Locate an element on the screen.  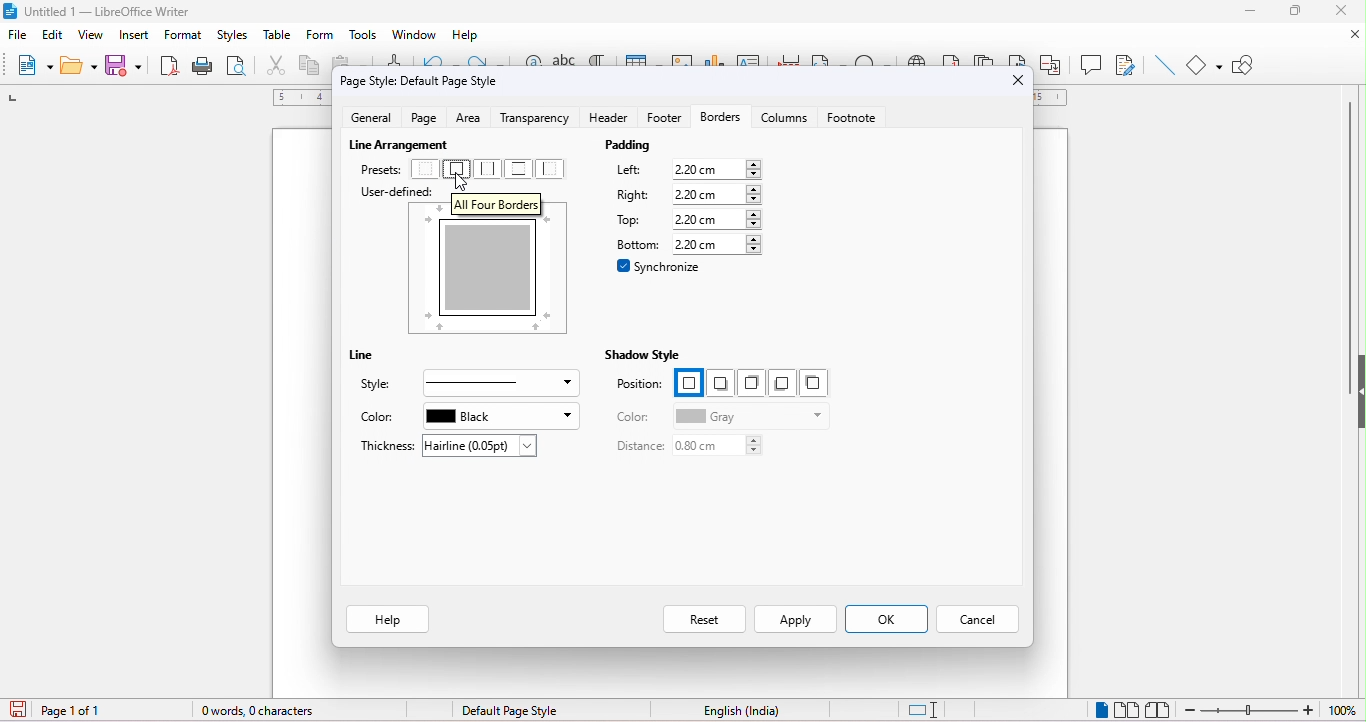
standard selection is located at coordinates (924, 707).